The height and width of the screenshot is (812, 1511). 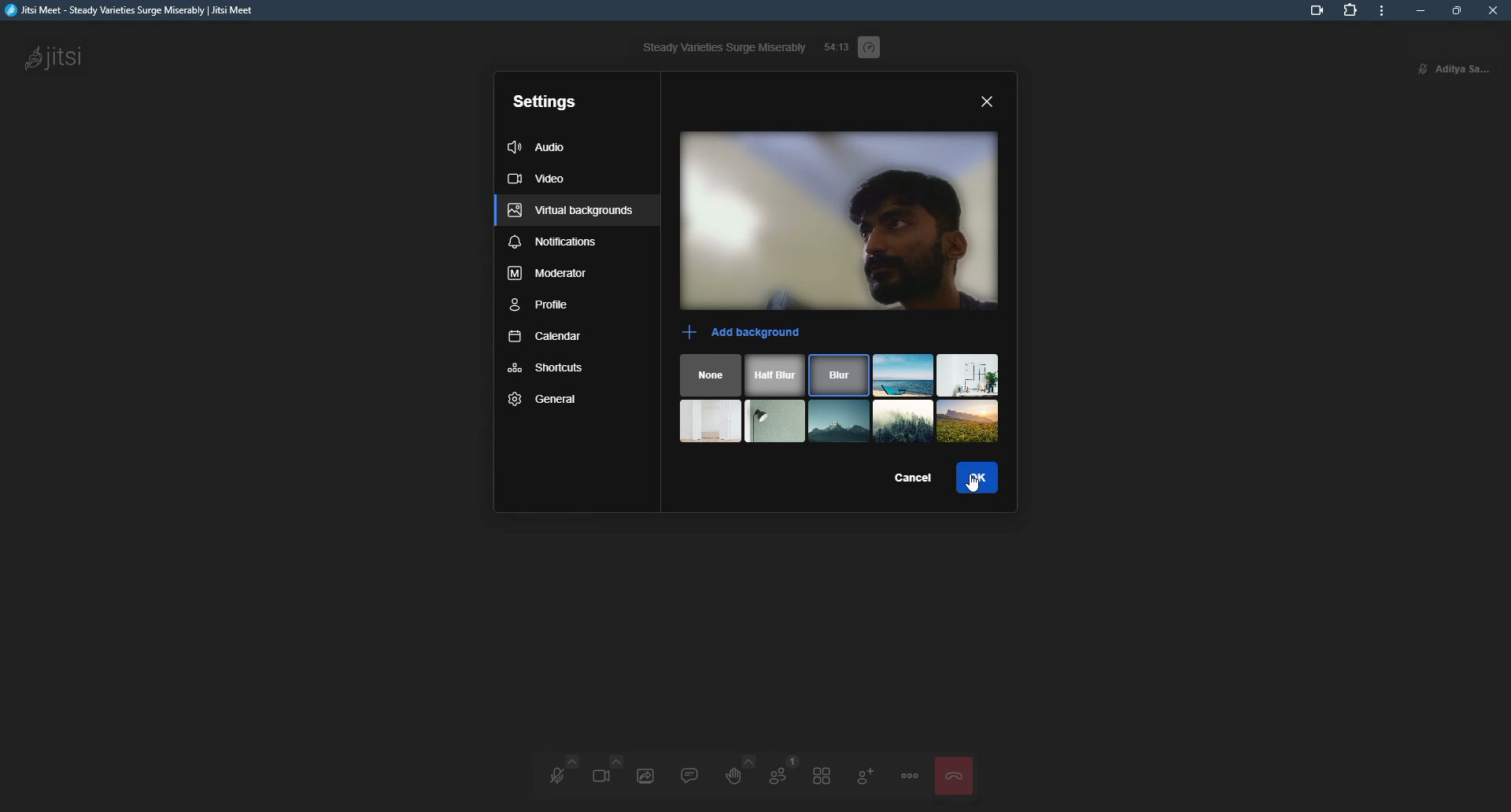 I want to click on scenery, so click(x=712, y=420).